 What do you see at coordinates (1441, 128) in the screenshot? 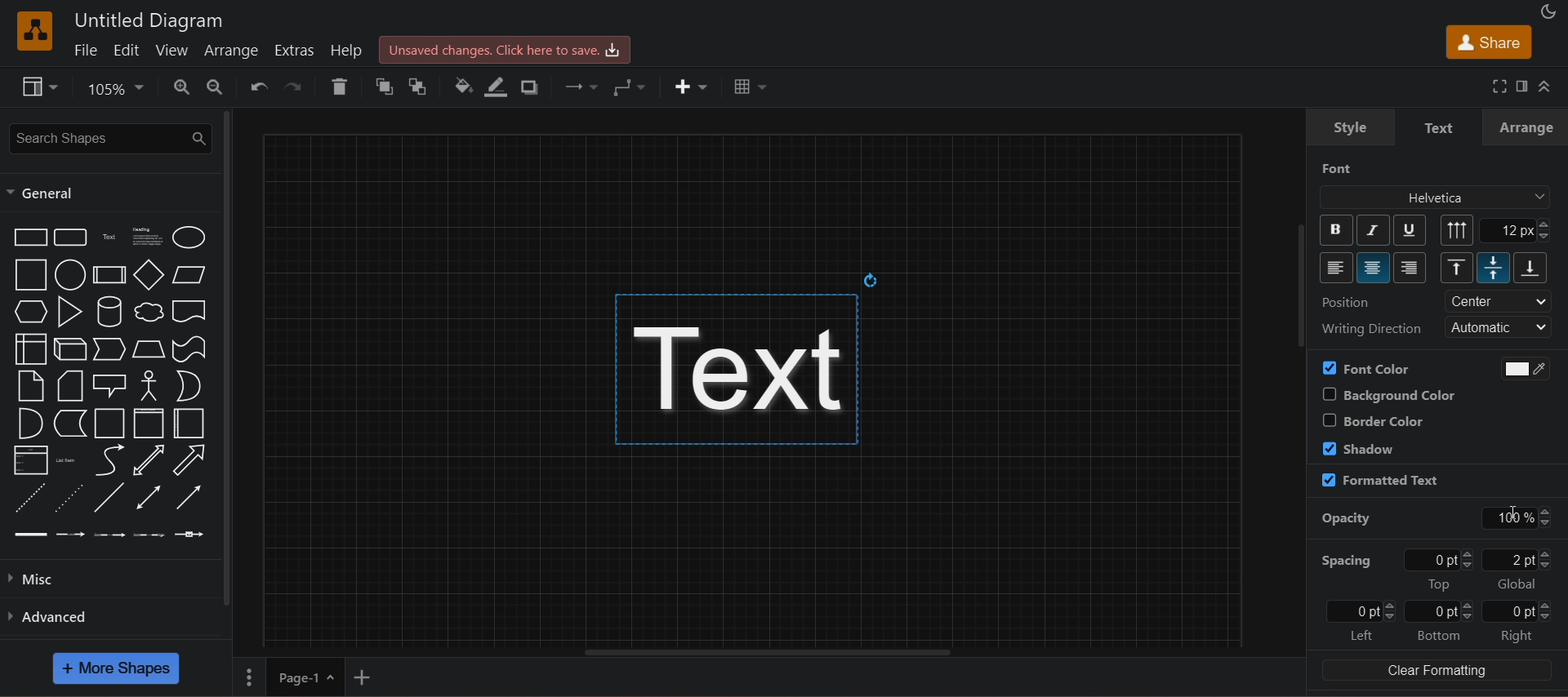
I see `text` at bounding box center [1441, 128].